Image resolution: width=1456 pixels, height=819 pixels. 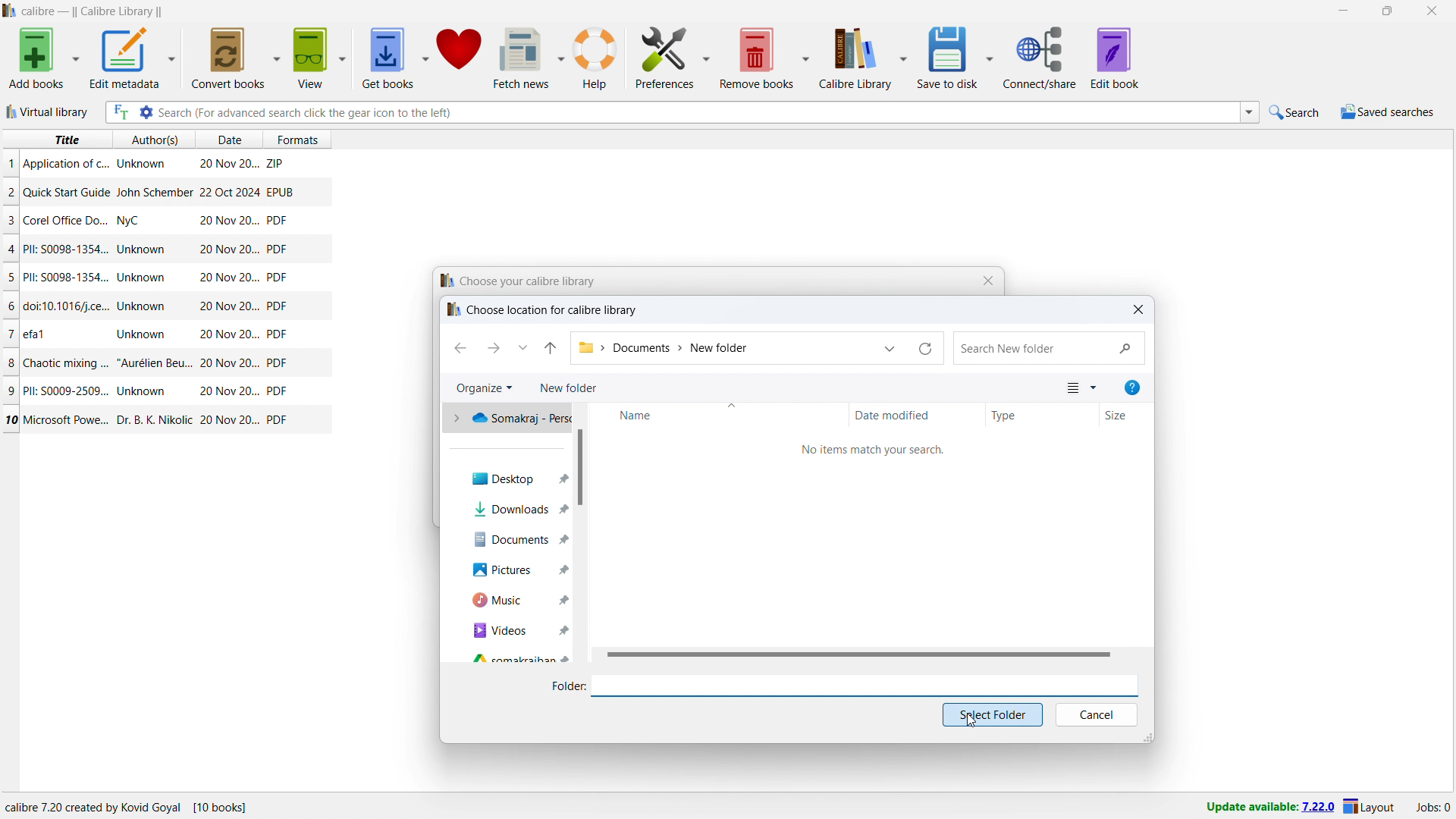 I want to click on Downloads, so click(x=516, y=510).